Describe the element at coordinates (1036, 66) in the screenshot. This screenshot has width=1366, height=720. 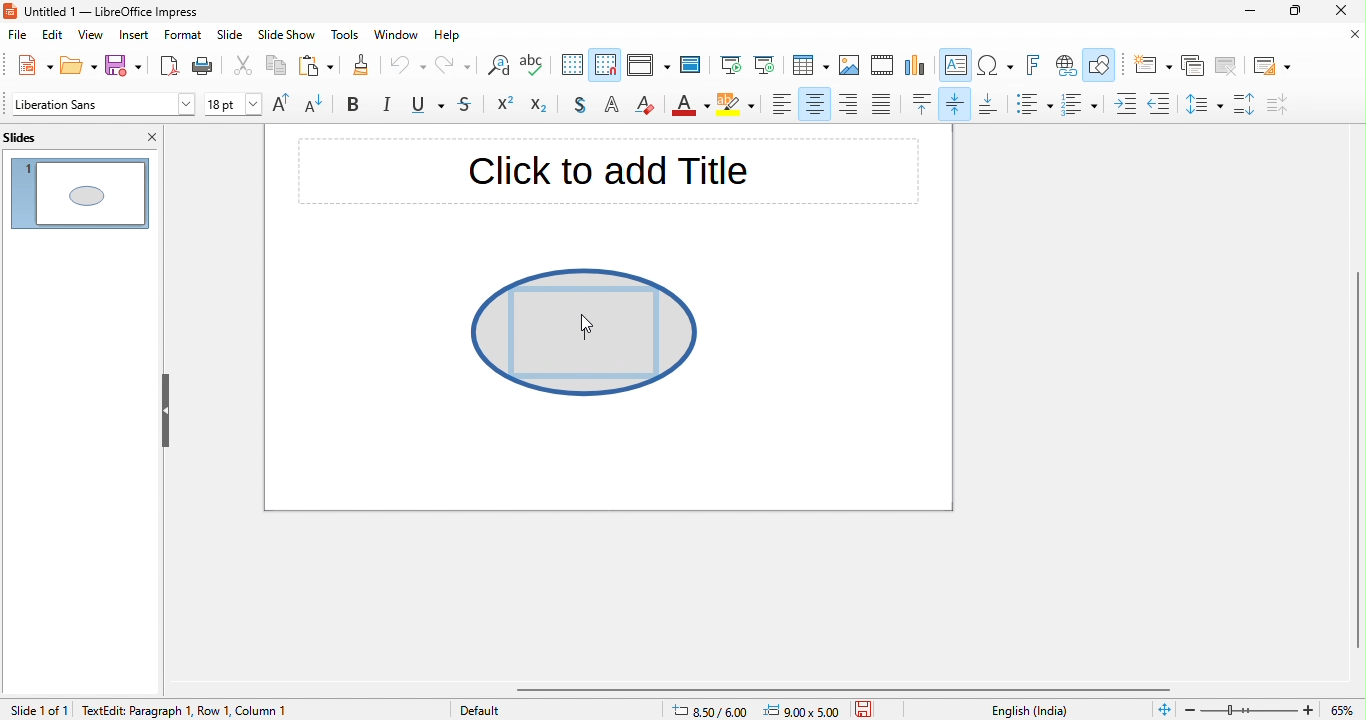
I see `fontwork text` at that location.